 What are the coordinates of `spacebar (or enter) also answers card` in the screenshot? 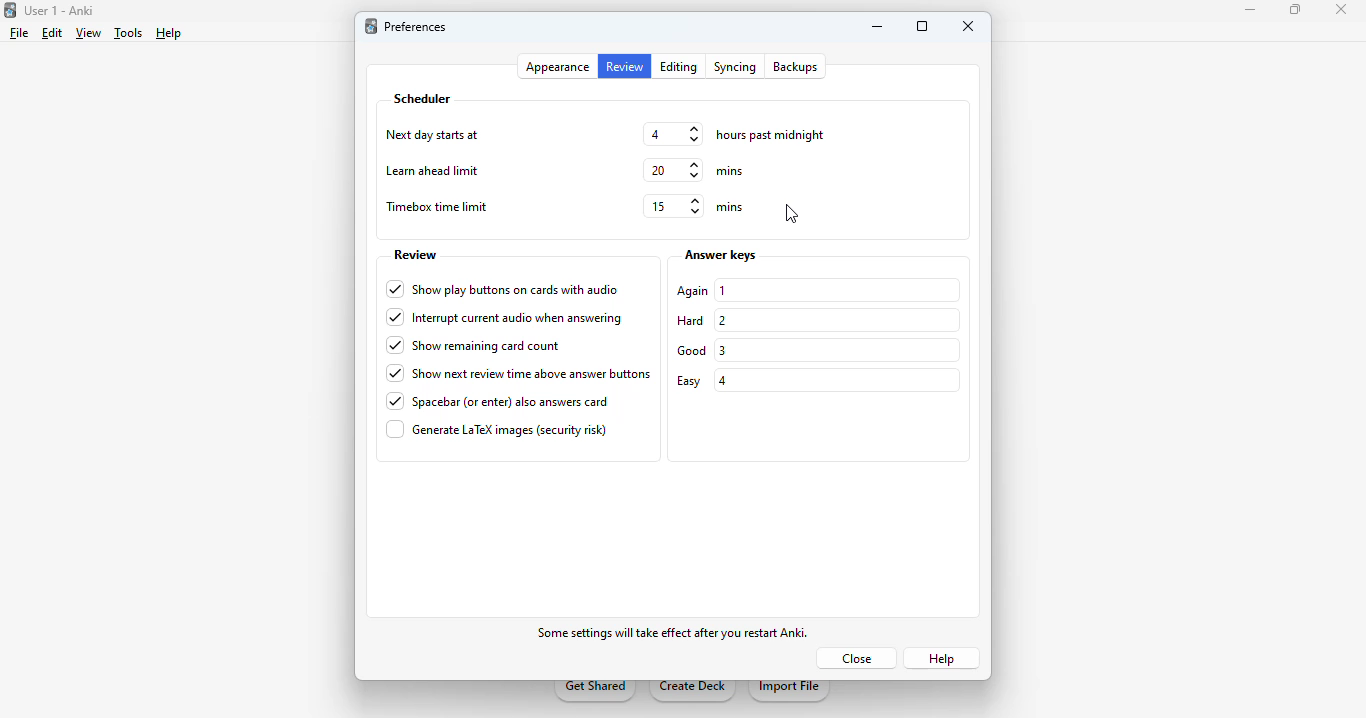 It's located at (498, 402).